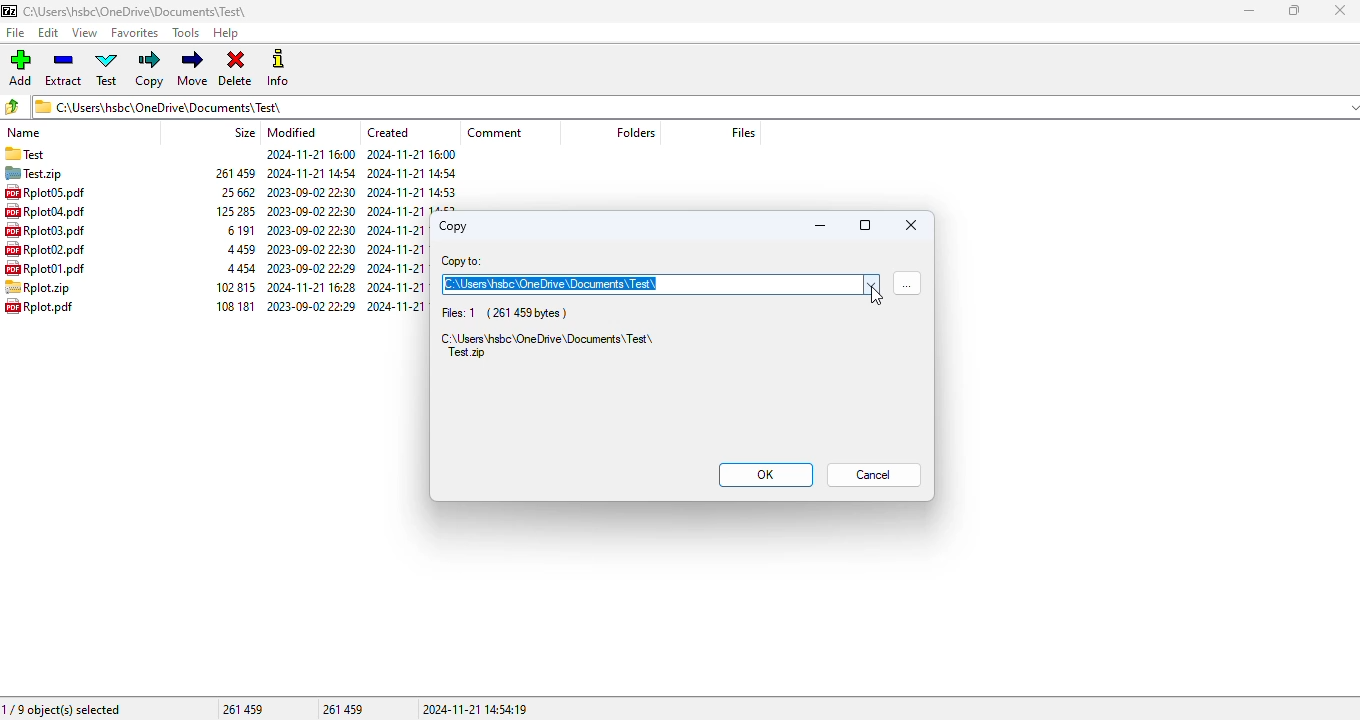 This screenshot has width=1360, height=720. What do you see at coordinates (241, 268) in the screenshot?
I see `size` at bounding box center [241, 268].